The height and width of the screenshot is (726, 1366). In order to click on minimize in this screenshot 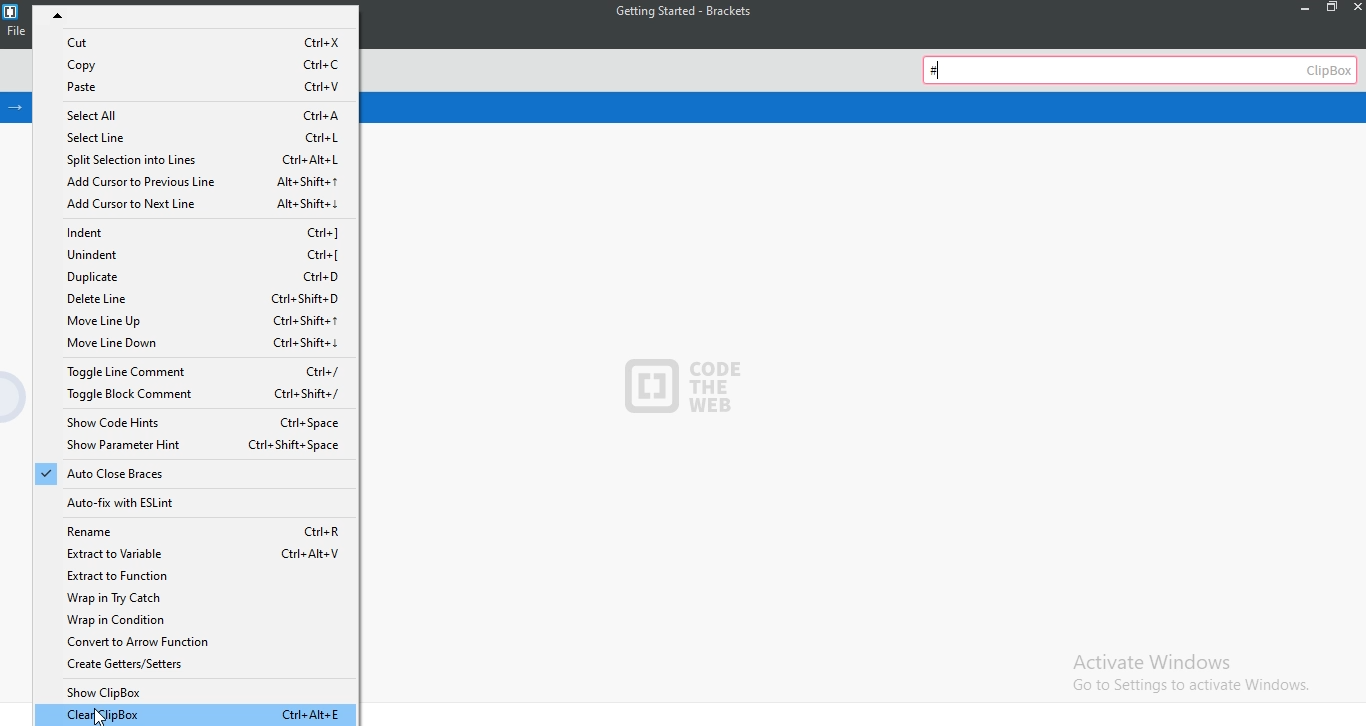, I will do `click(1299, 8)`.